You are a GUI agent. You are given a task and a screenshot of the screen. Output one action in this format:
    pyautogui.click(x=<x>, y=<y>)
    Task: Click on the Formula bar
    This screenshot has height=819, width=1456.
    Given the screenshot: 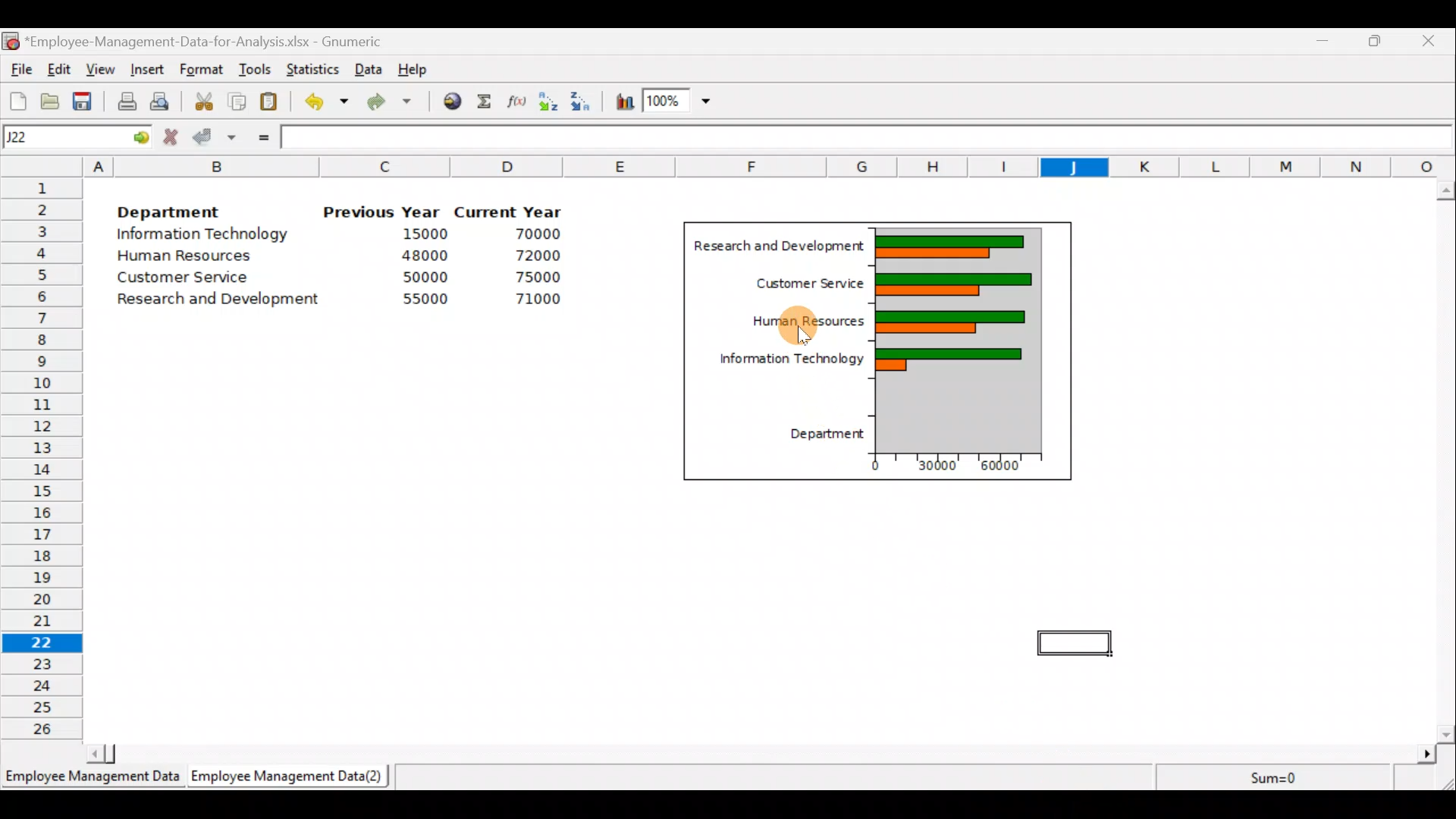 What is the action you would take?
    pyautogui.click(x=871, y=137)
    